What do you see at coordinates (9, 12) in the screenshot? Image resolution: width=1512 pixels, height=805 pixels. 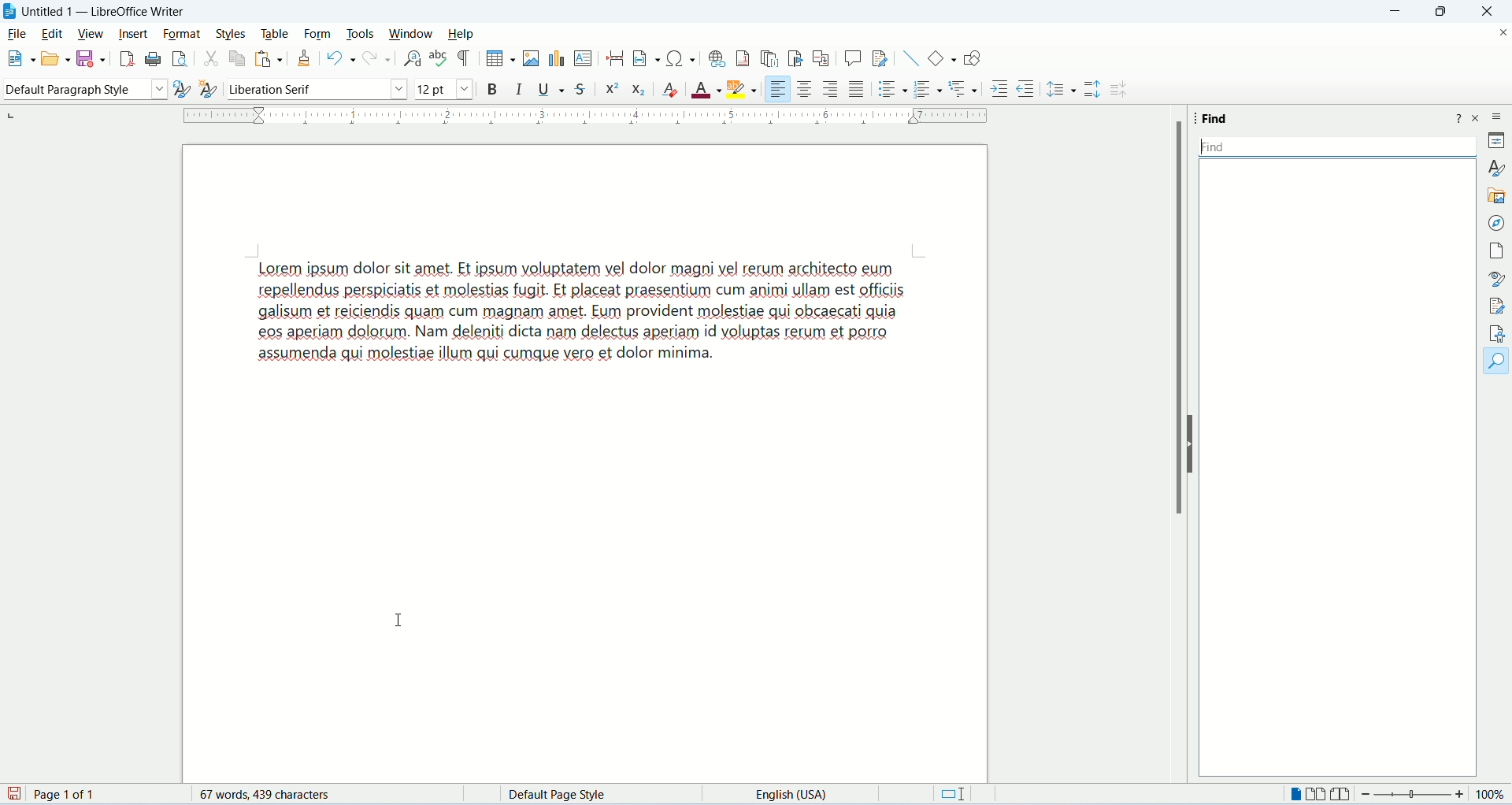 I see `logo` at bounding box center [9, 12].